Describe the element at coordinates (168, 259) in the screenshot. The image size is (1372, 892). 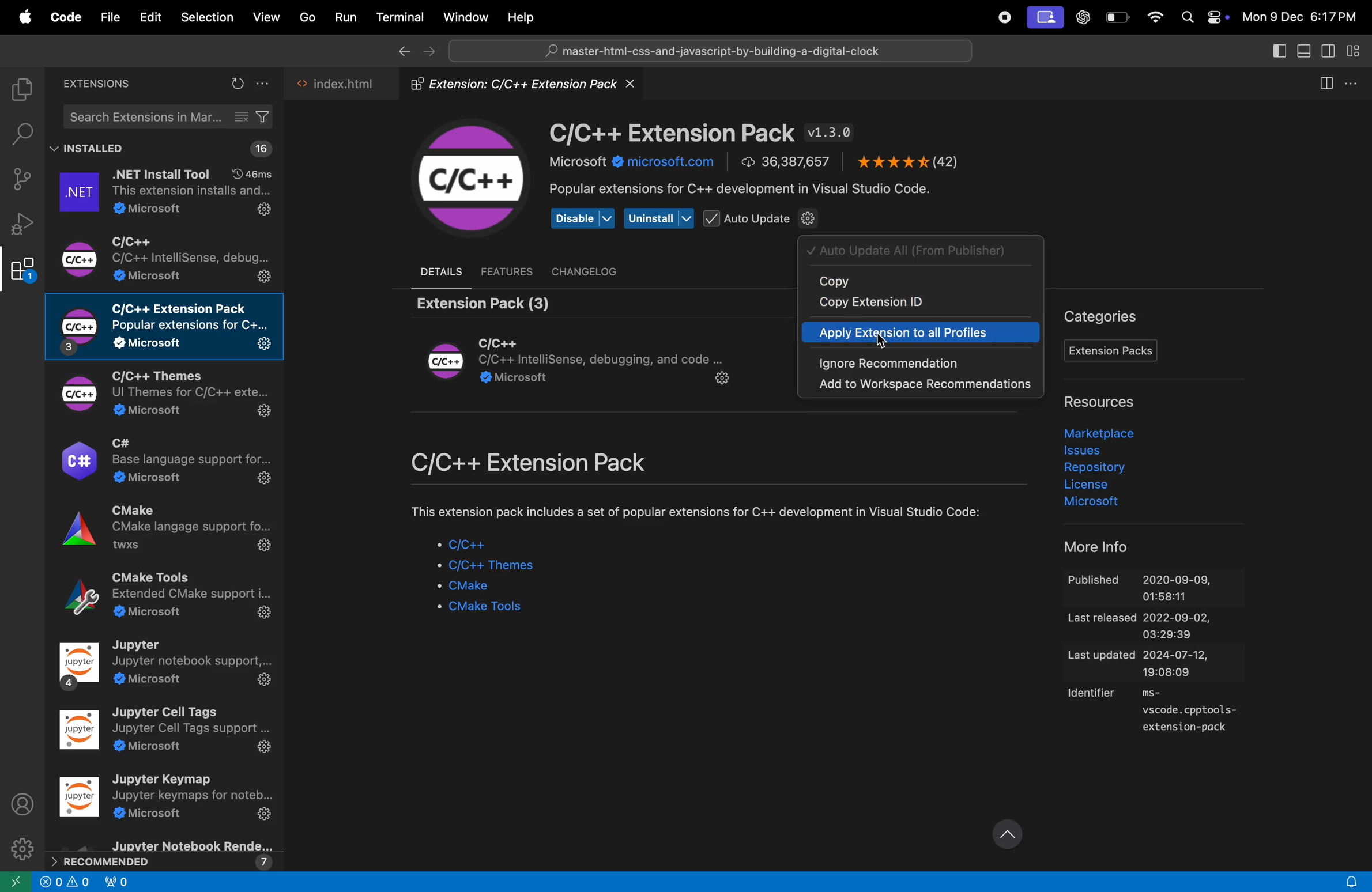
I see `c/C++ extesnsiomns` at that location.